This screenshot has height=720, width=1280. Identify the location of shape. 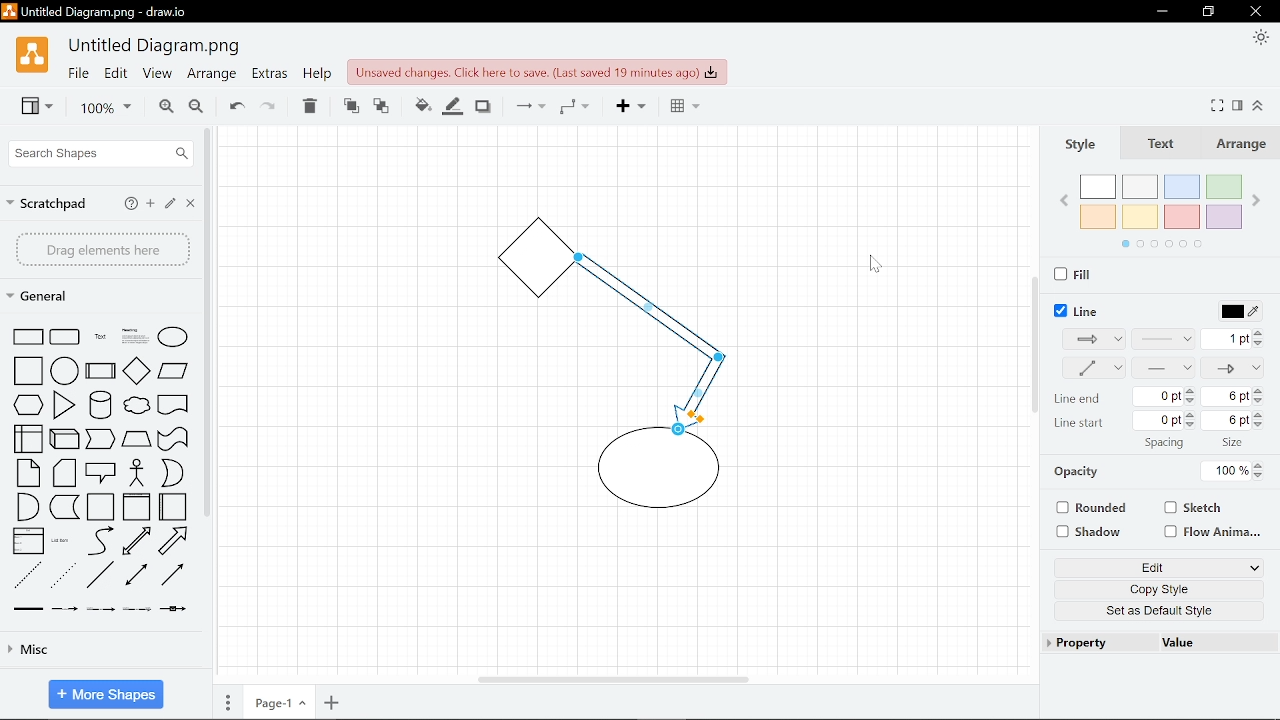
(139, 542).